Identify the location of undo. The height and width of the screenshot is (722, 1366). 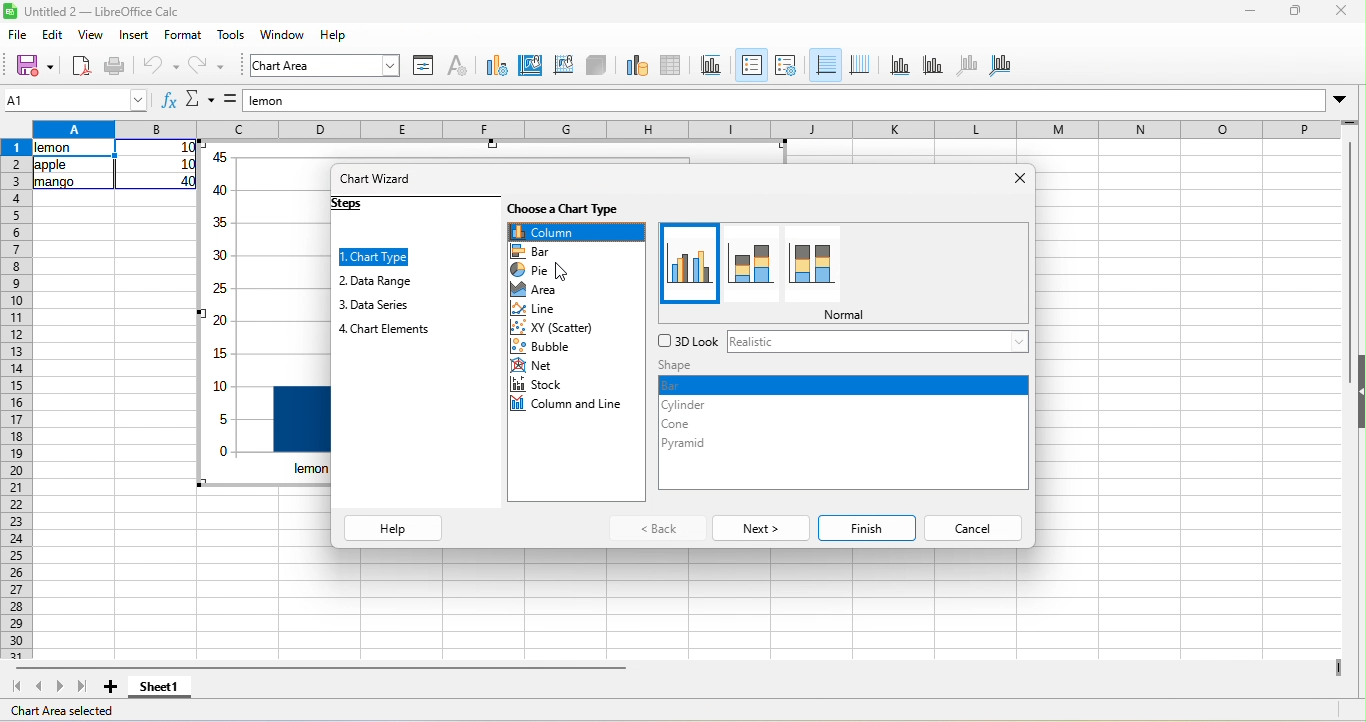
(165, 64).